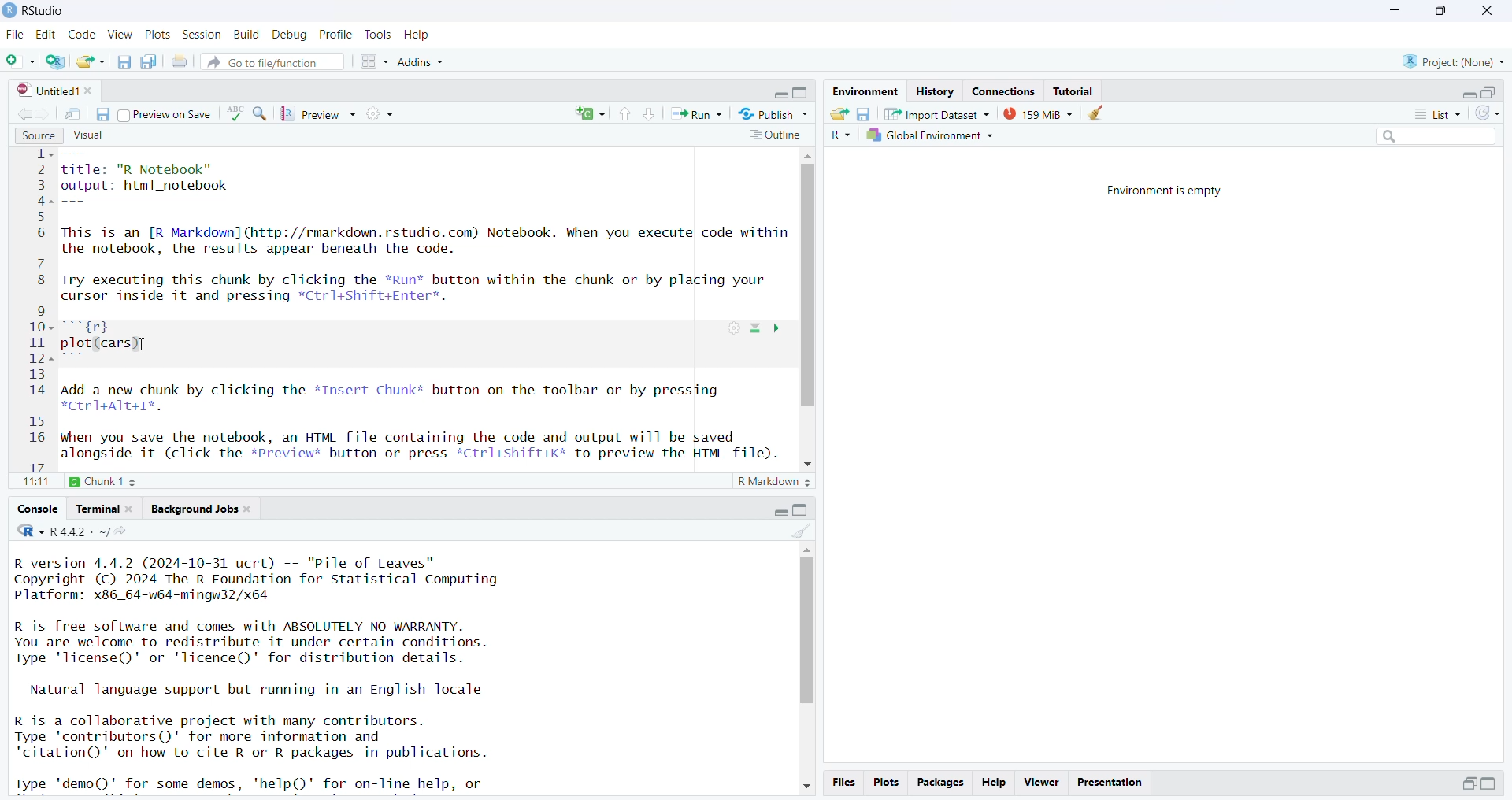  Describe the element at coordinates (39, 509) in the screenshot. I see `console` at that location.